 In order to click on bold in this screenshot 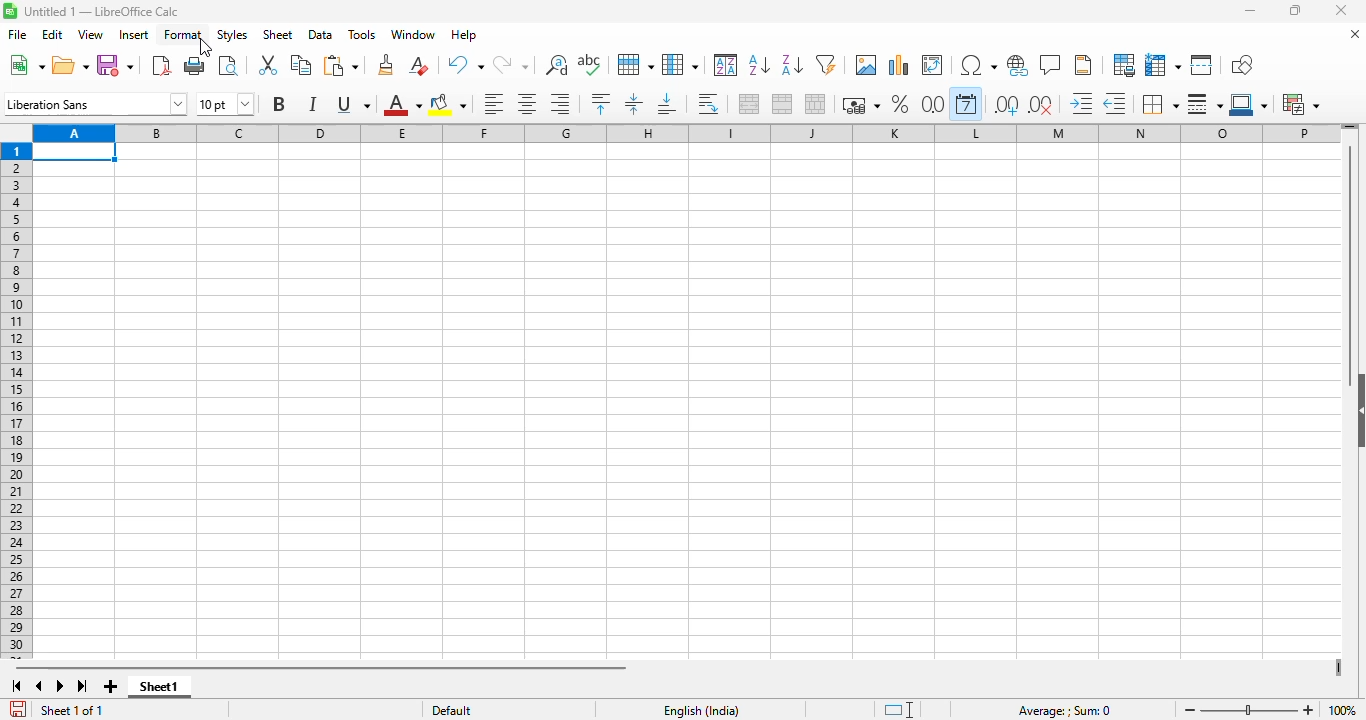, I will do `click(279, 103)`.